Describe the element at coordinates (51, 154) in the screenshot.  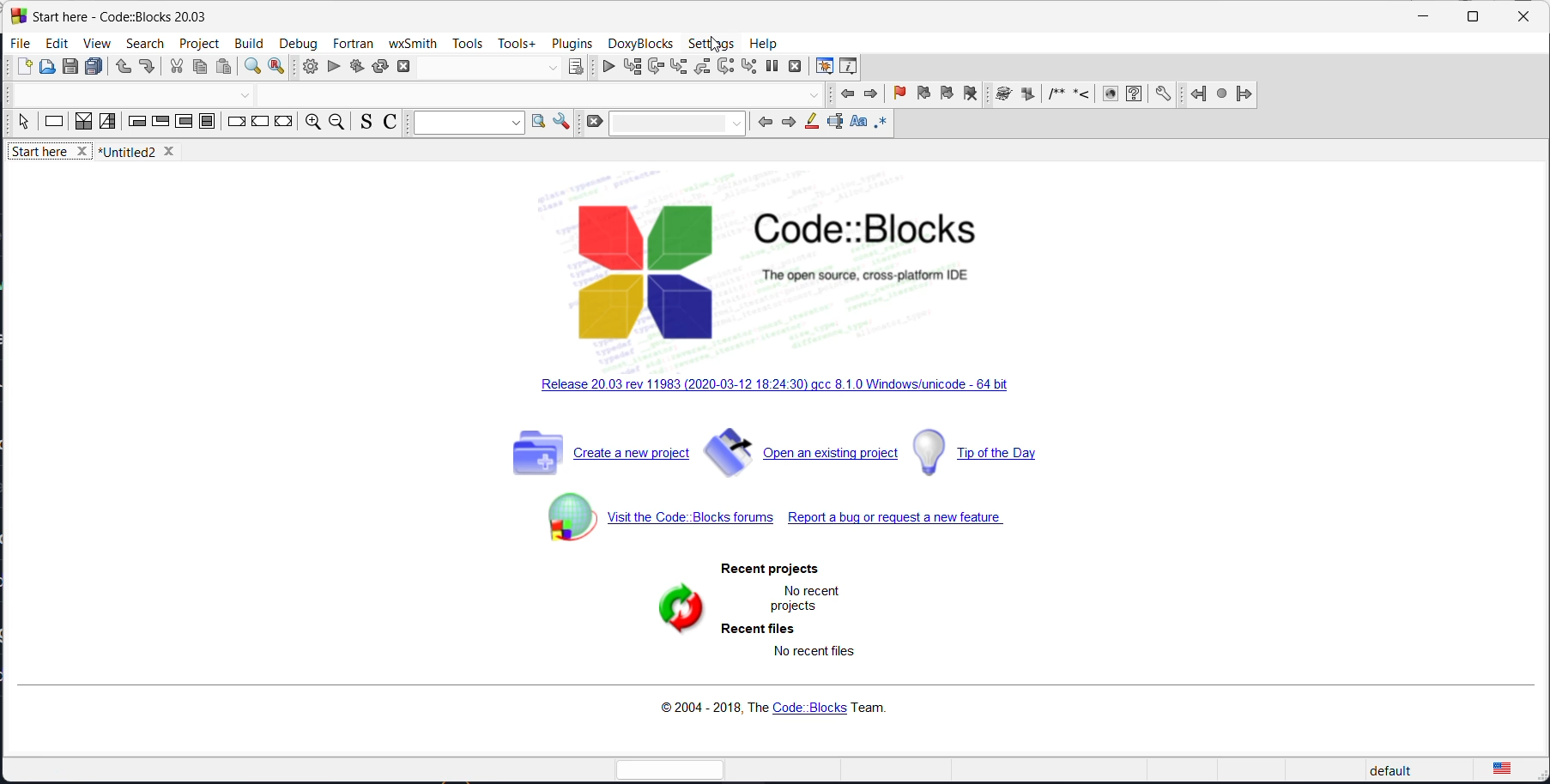
I see `start here` at that location.